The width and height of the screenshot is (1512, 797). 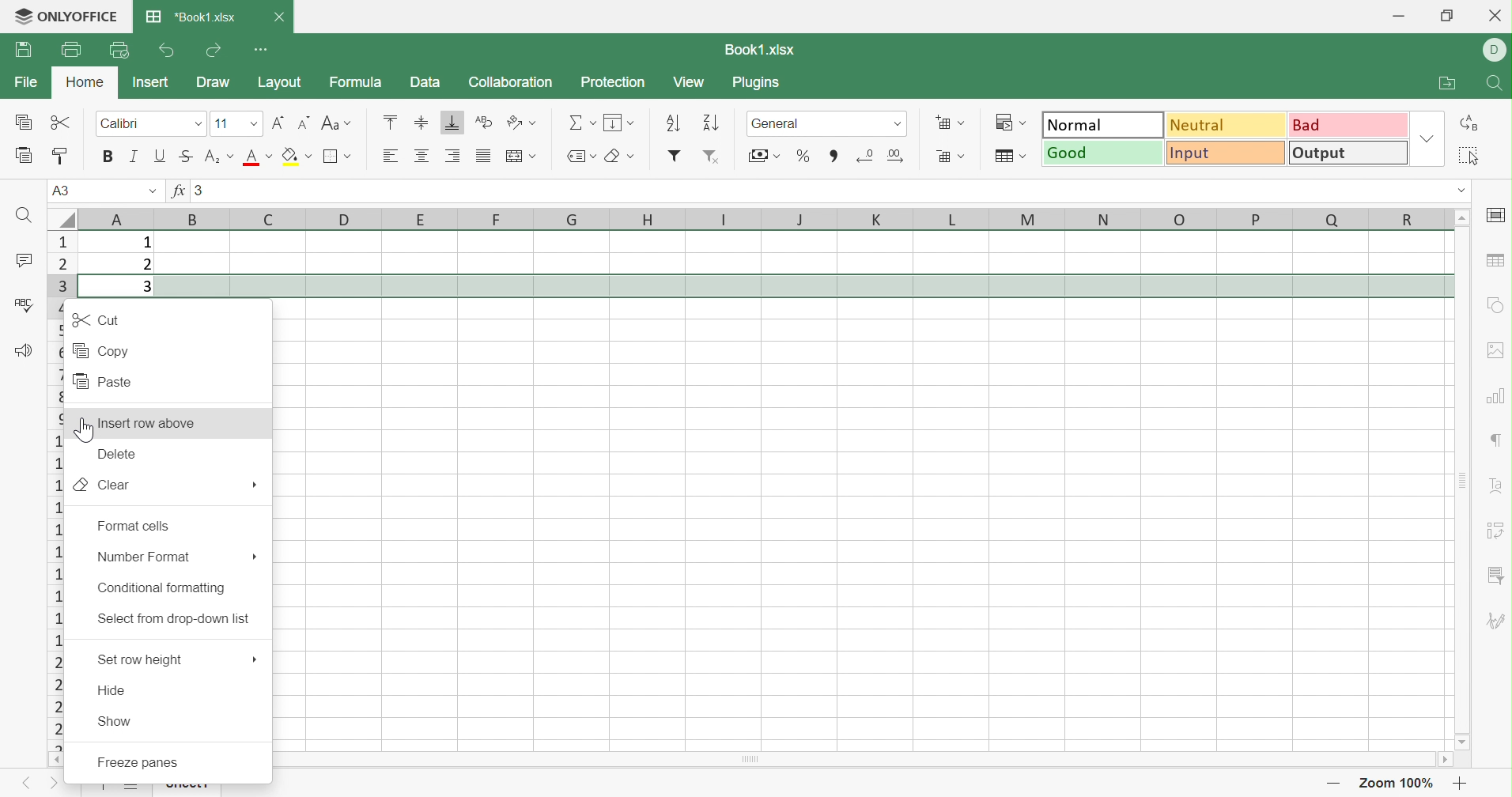 I want to click on Row numbers, so click(x=56, y=485).